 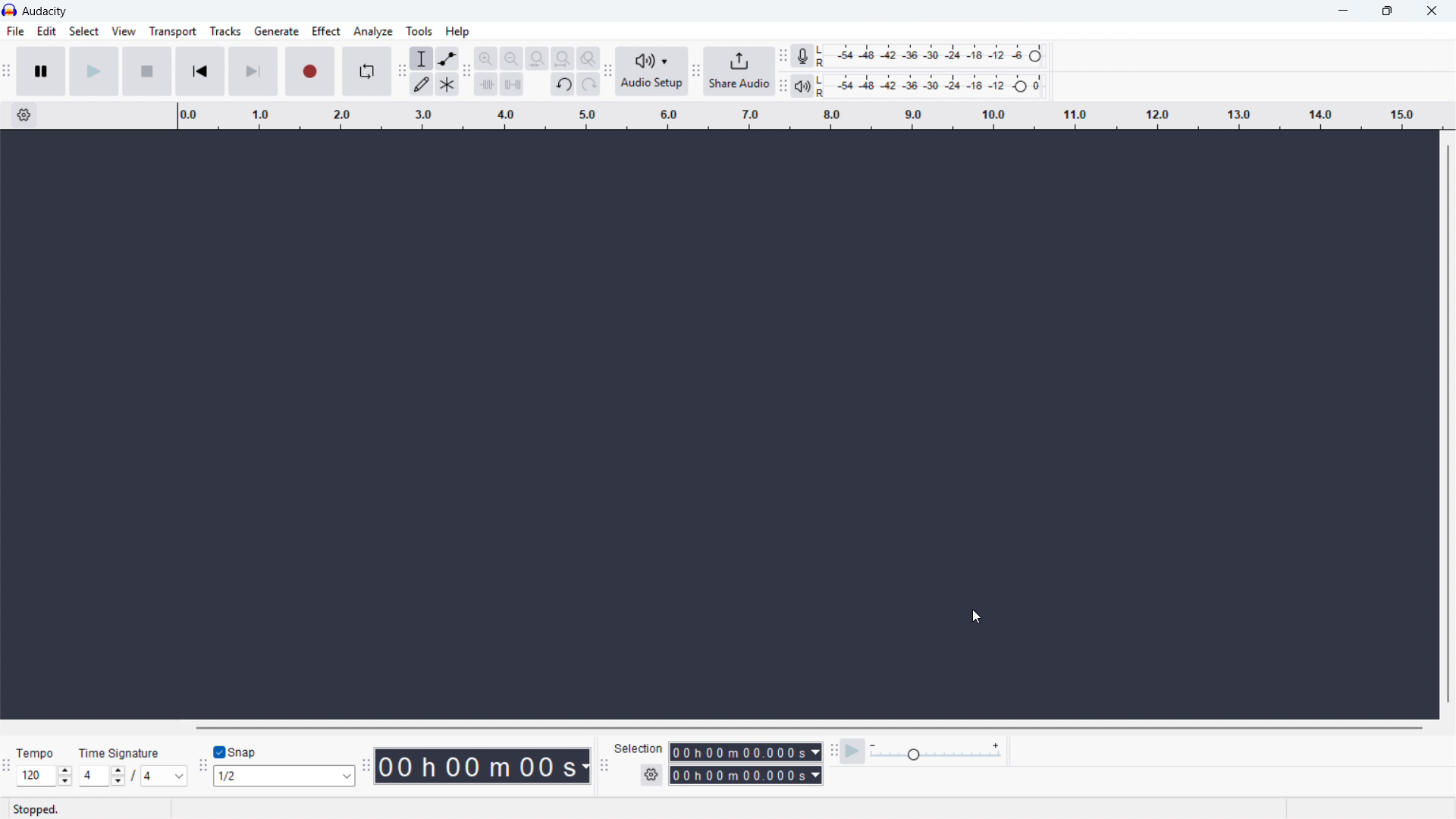 I want to click on select, so click(x=84, y=31).